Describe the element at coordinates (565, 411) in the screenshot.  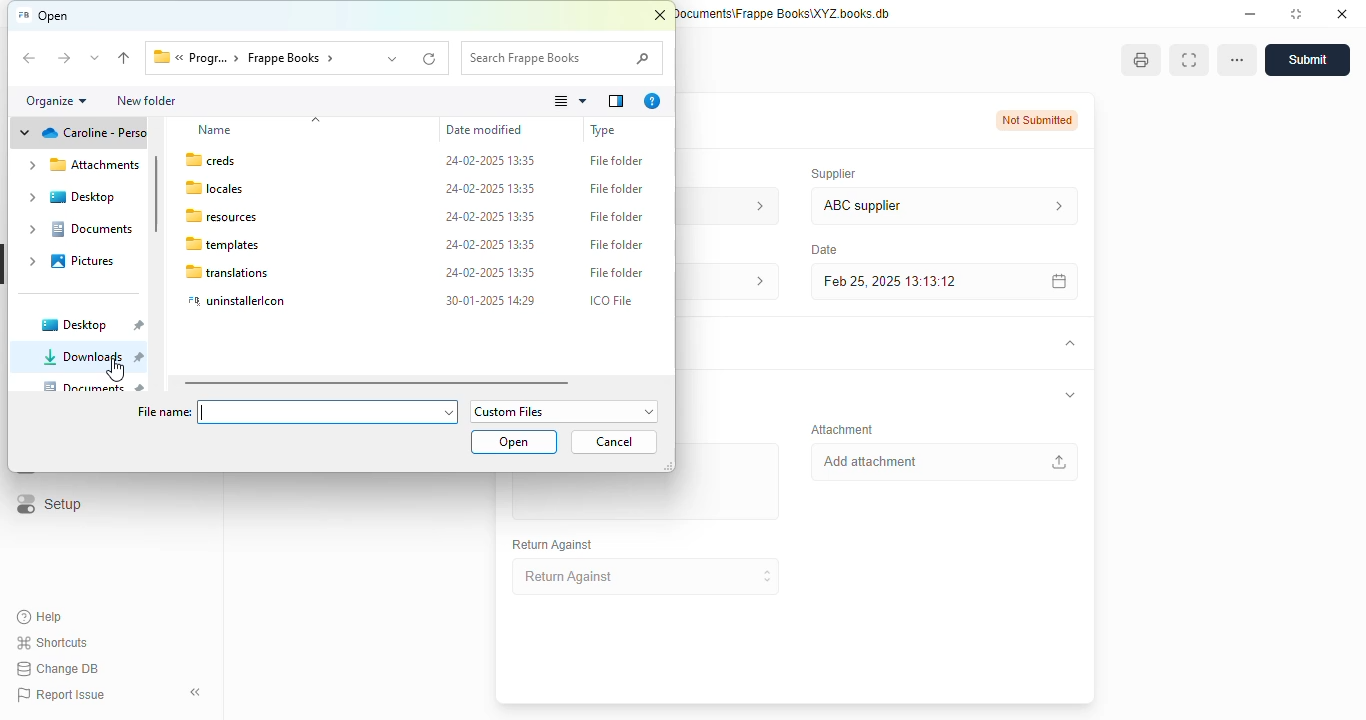
I see `custom files` at that location.